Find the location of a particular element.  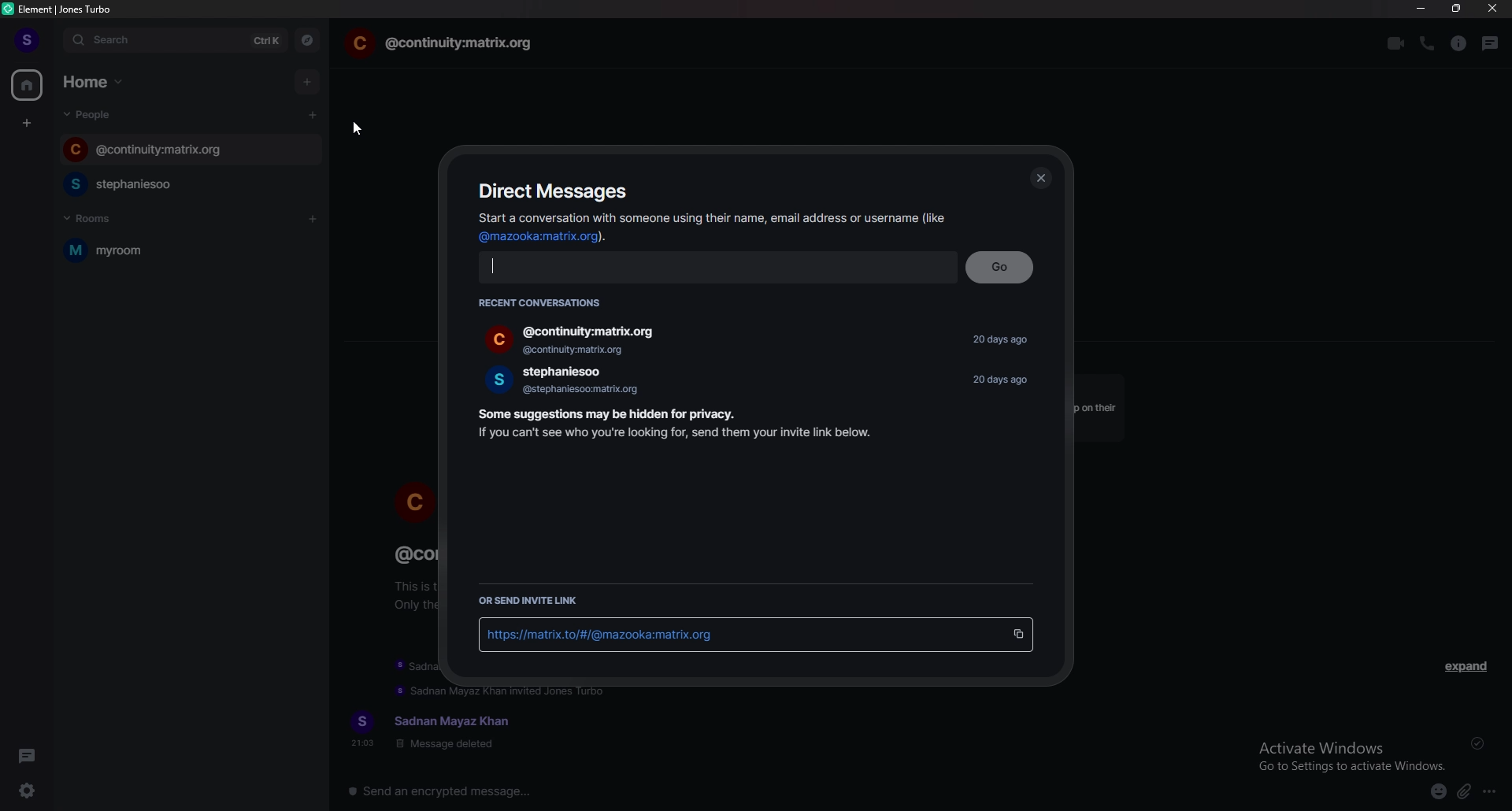

quick settings is located at coordinates (28, 790).